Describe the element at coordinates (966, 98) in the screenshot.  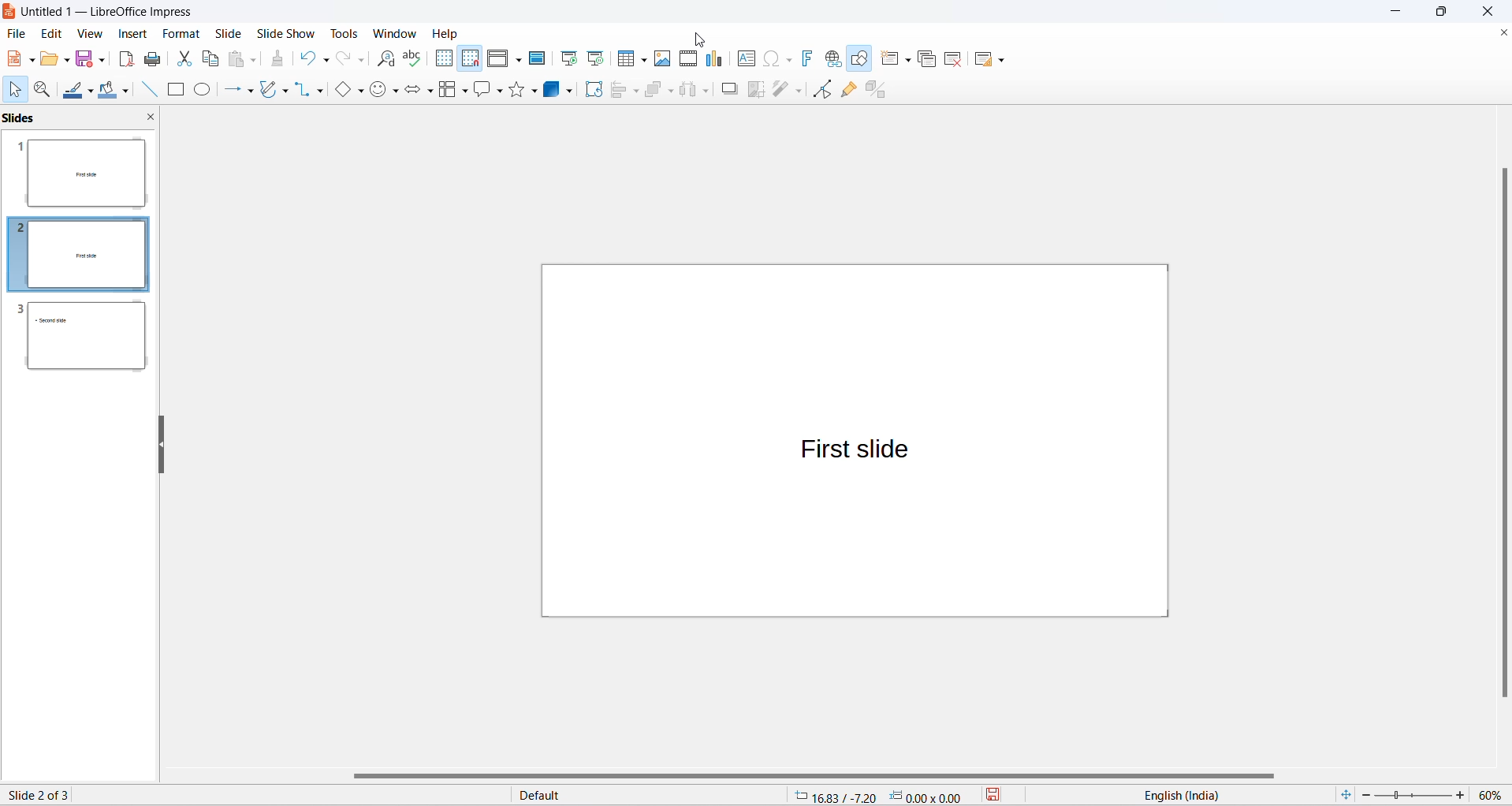
I see `duplicate slide text` at that location.